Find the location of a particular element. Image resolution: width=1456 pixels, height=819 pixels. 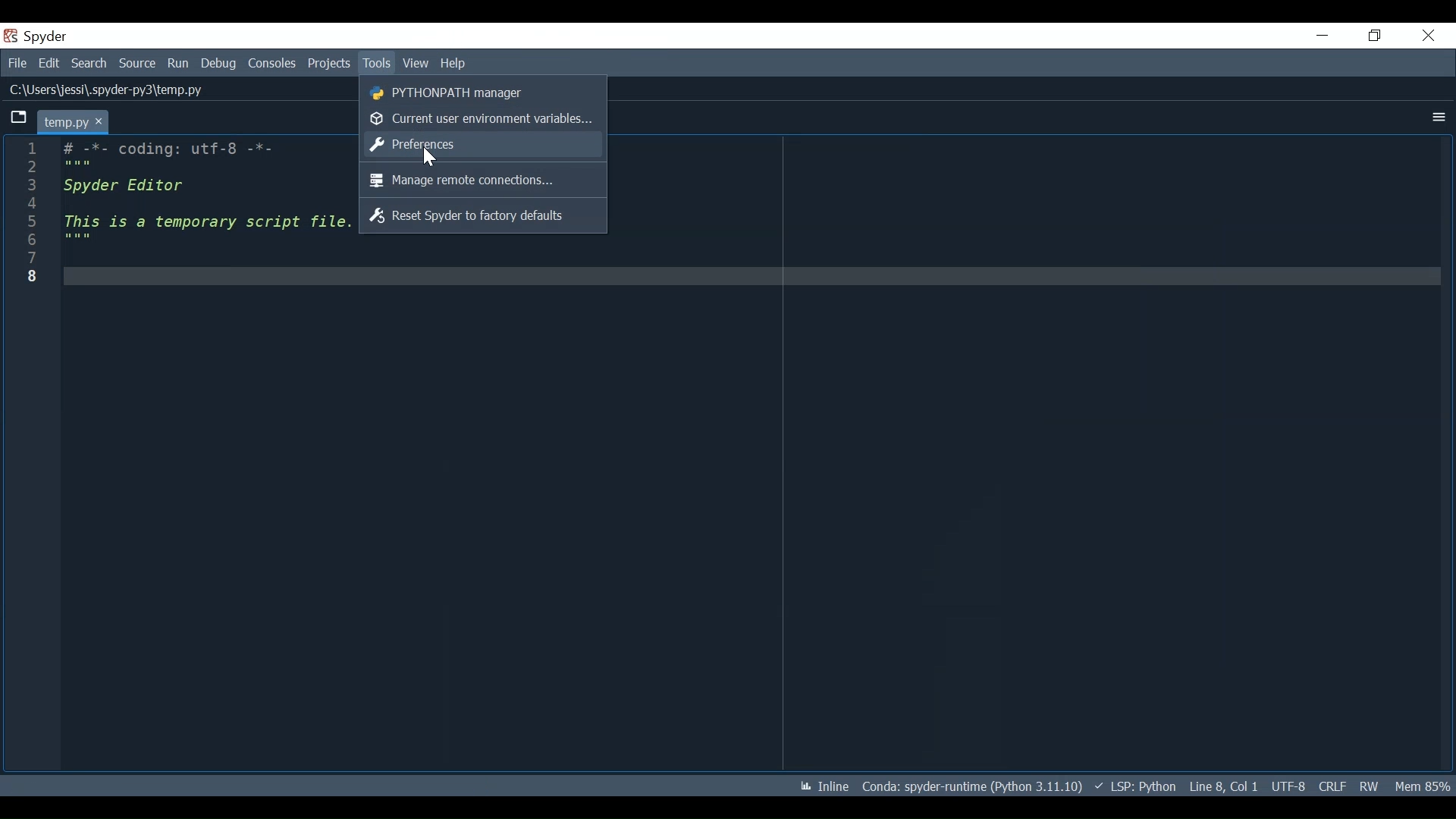

Tools is located at coordinates (375, 63).